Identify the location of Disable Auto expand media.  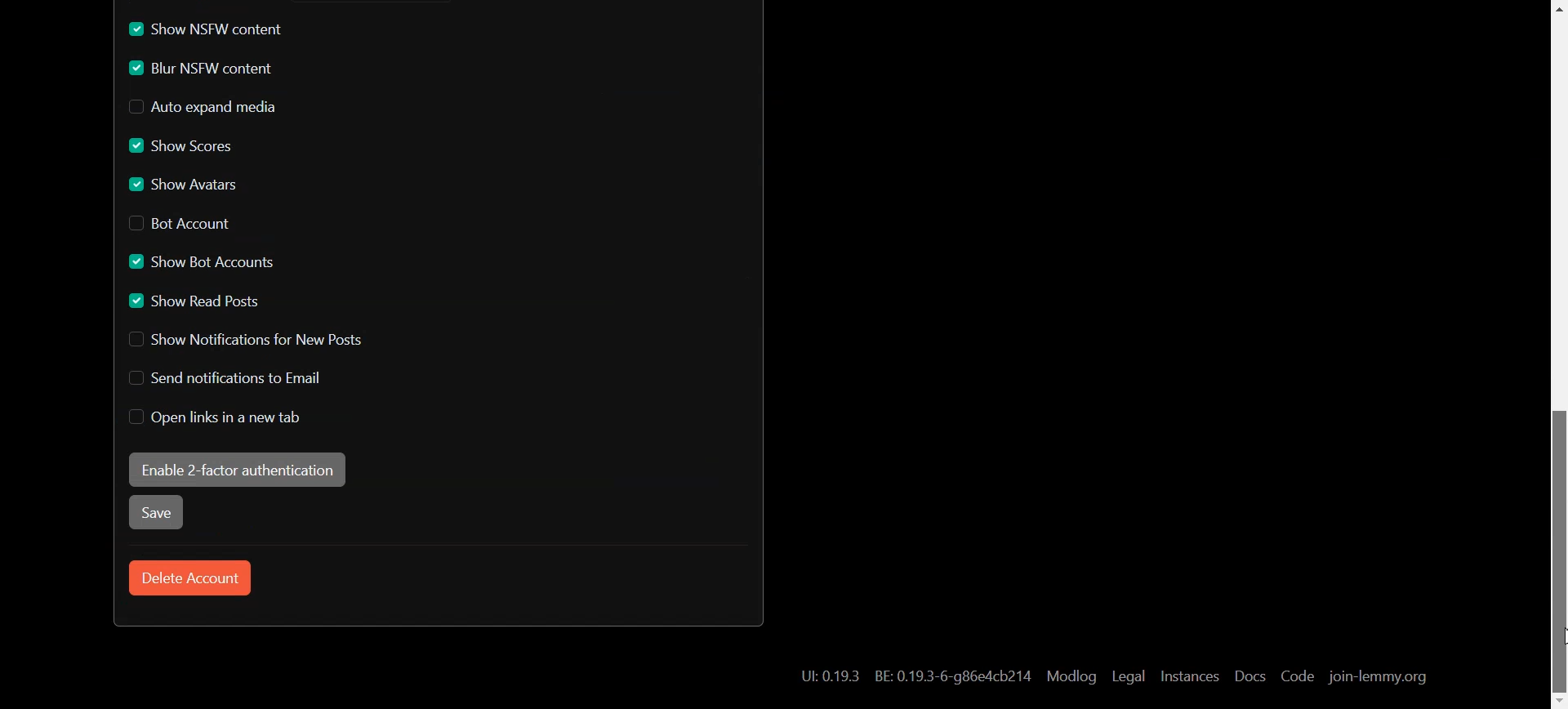
(230, 108).